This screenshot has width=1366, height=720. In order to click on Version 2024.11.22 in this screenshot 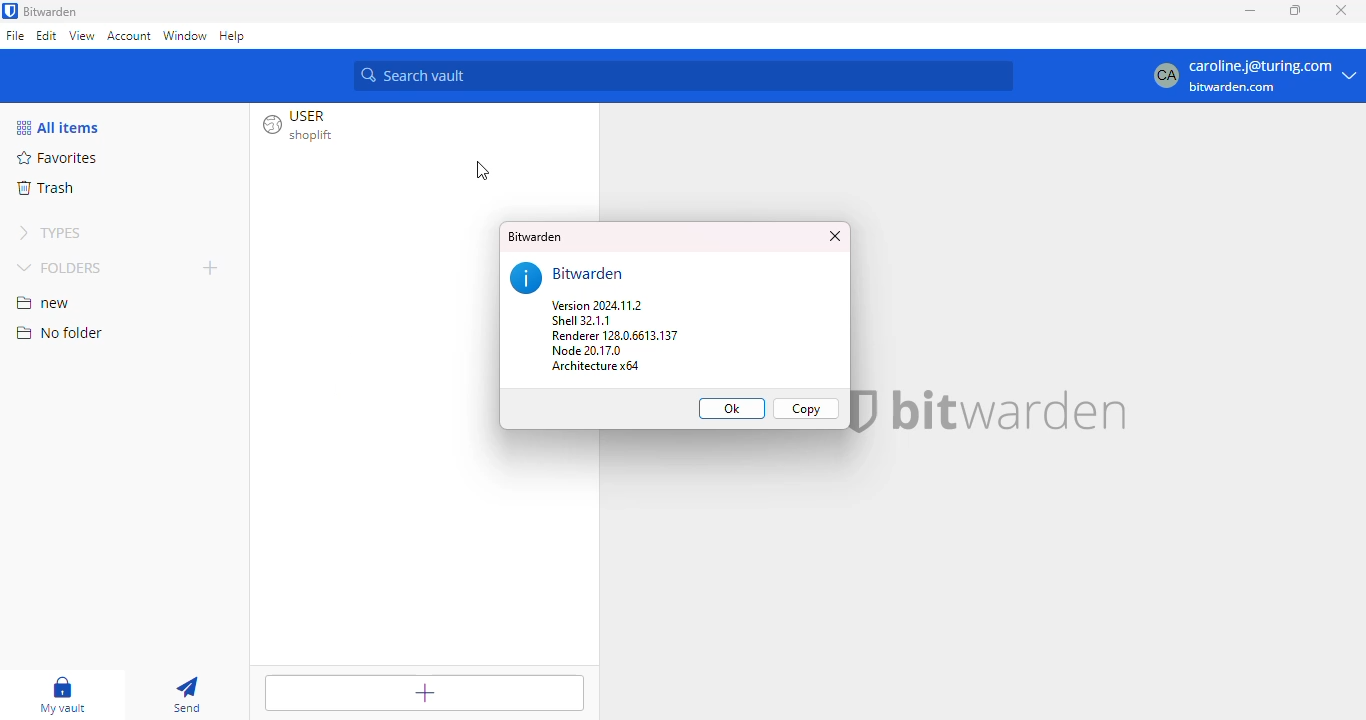, I will do `click(597, 306)`.